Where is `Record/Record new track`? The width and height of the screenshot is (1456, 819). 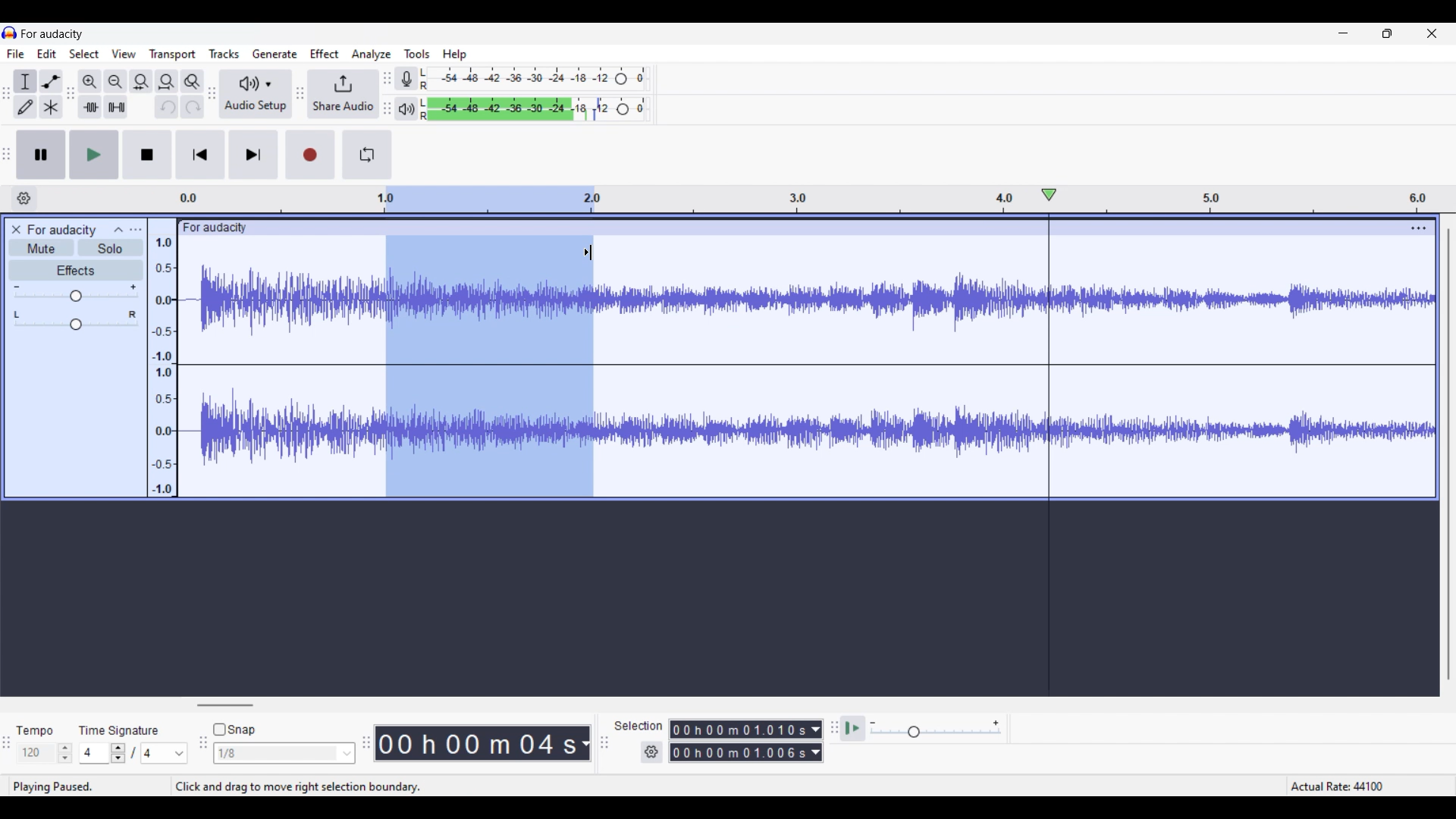 Record/Record new track is located at coordinates (310, 155).